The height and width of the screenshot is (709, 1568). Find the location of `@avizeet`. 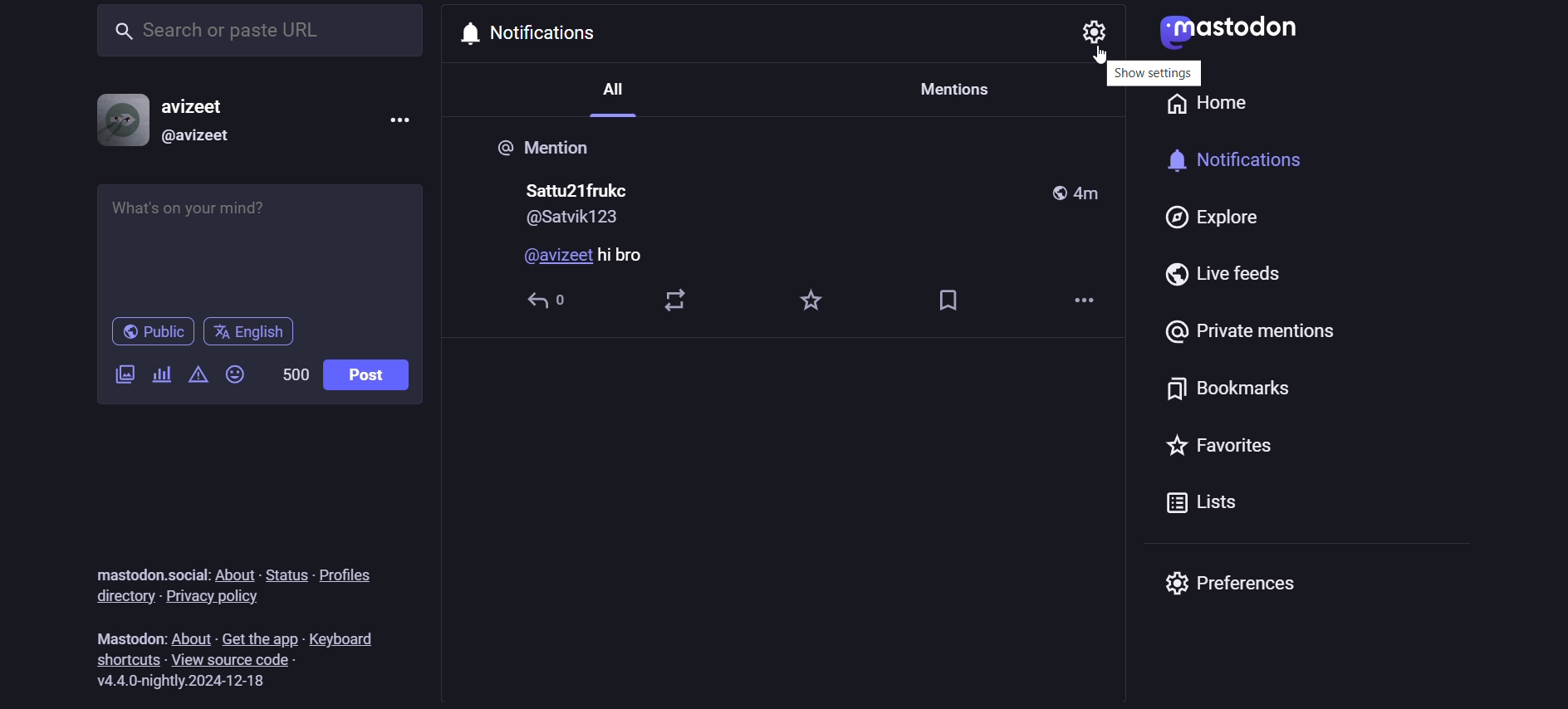

@avizeet is located at coordinates (200, 139).